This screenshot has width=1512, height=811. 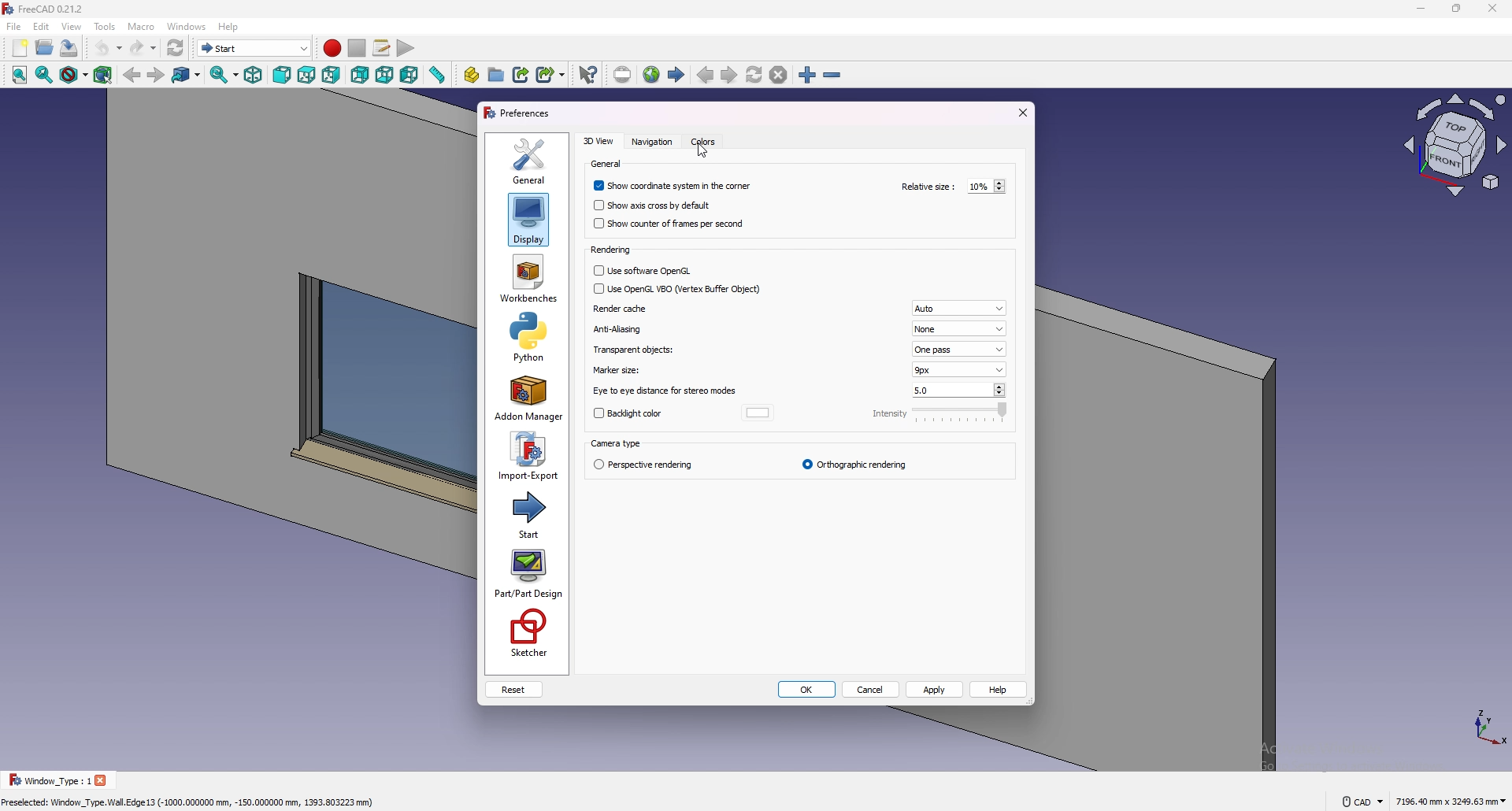 What do you see at coordinates (959, 328) in the screenshot?
I see `none` at bounding box center [959, 328].